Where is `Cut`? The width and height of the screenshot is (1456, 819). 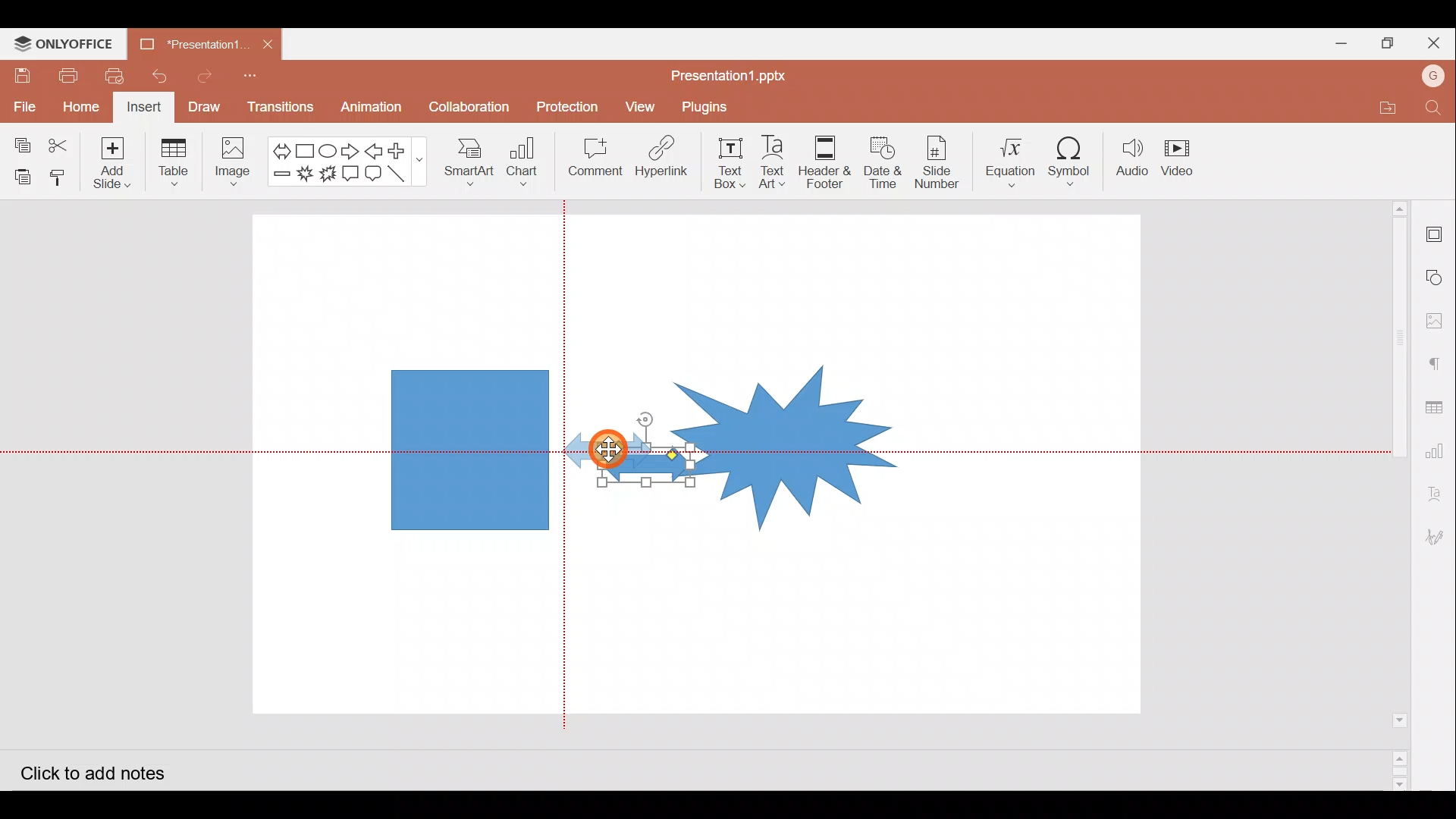 Cut is located at coordinates (67, 142).